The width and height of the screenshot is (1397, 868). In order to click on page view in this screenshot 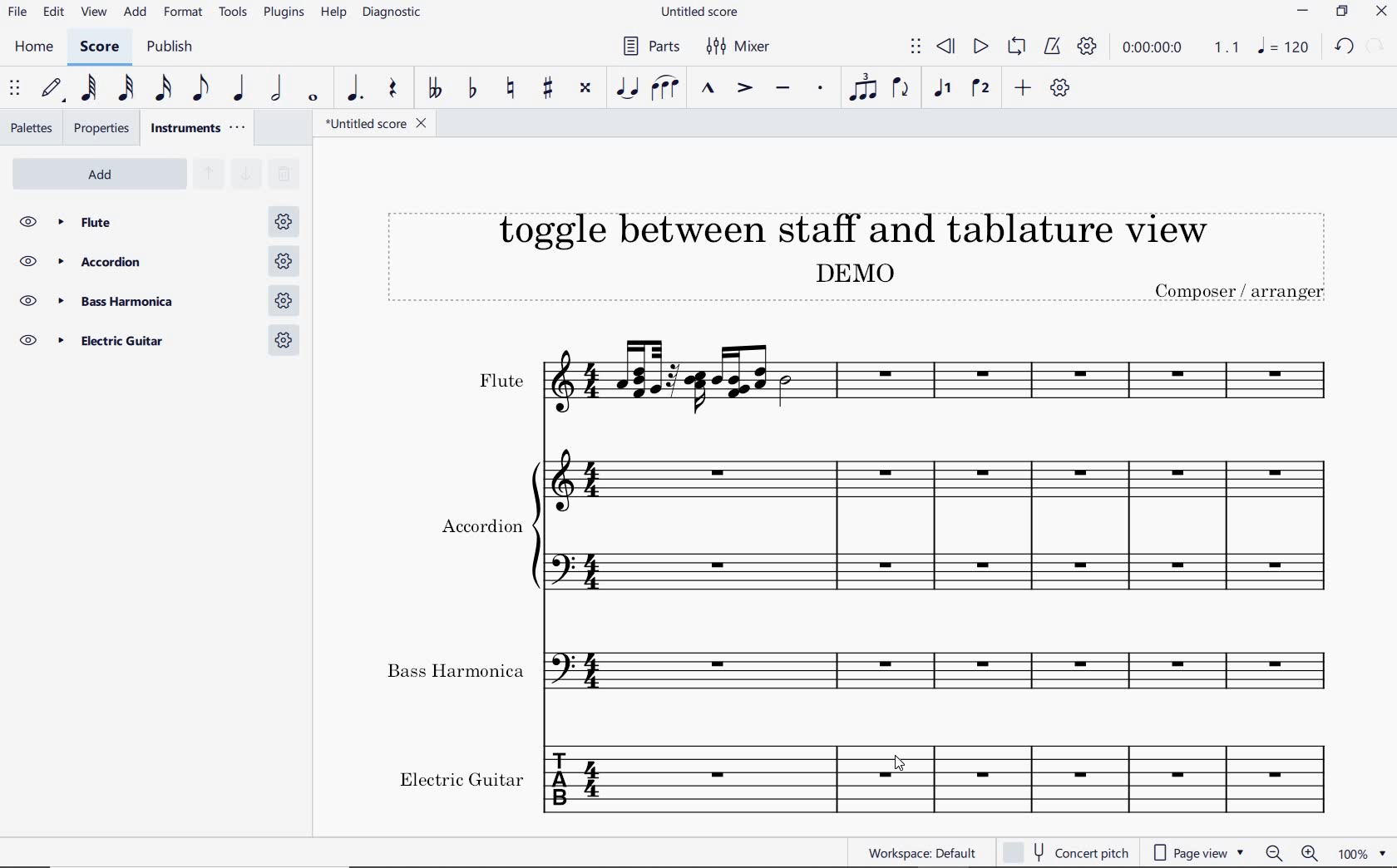, I will do `click(1199, 852)`.